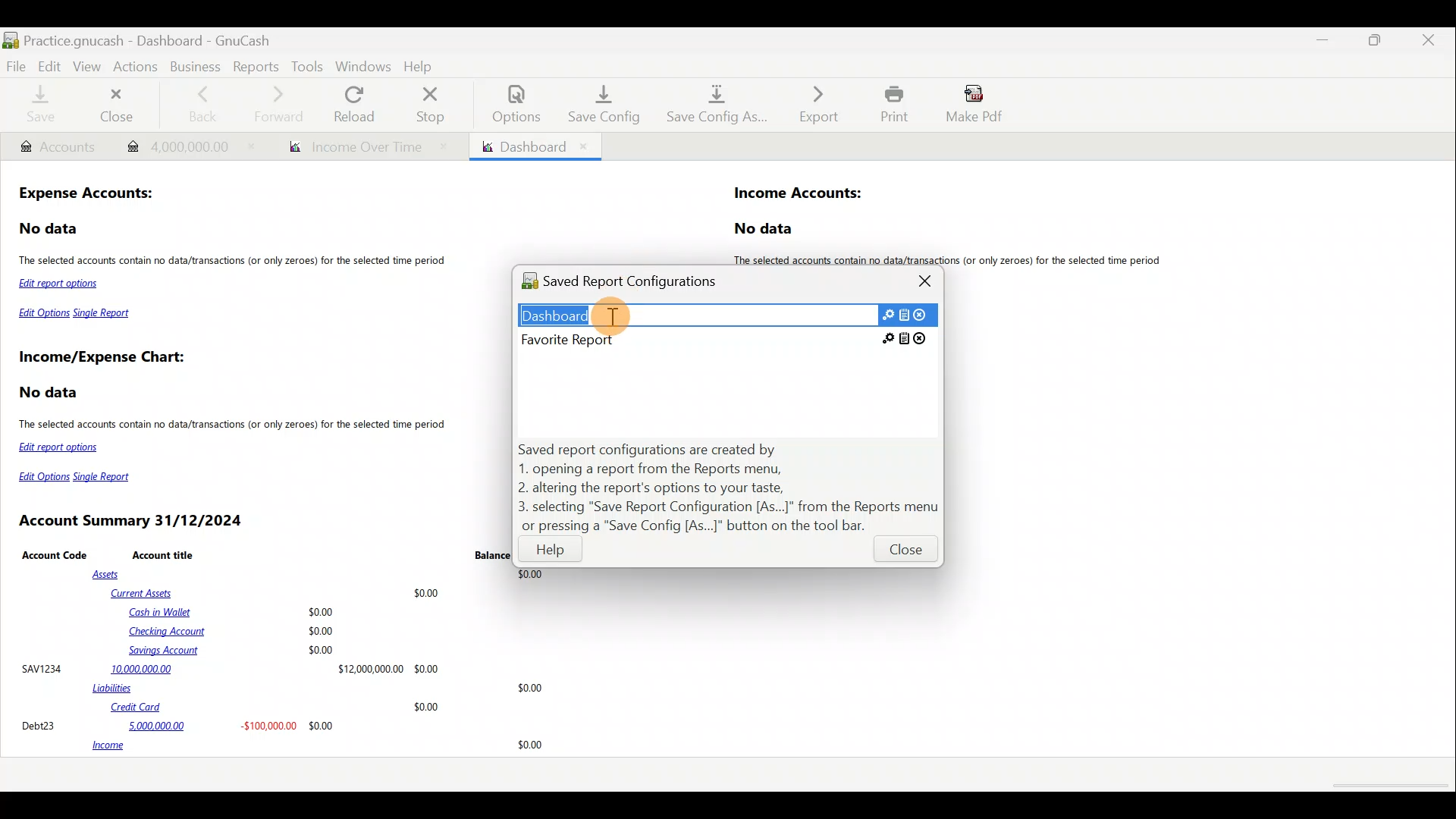  Describe the element at coordinates (534, 146) in the screenshot. I see `Dashboard` at that location.